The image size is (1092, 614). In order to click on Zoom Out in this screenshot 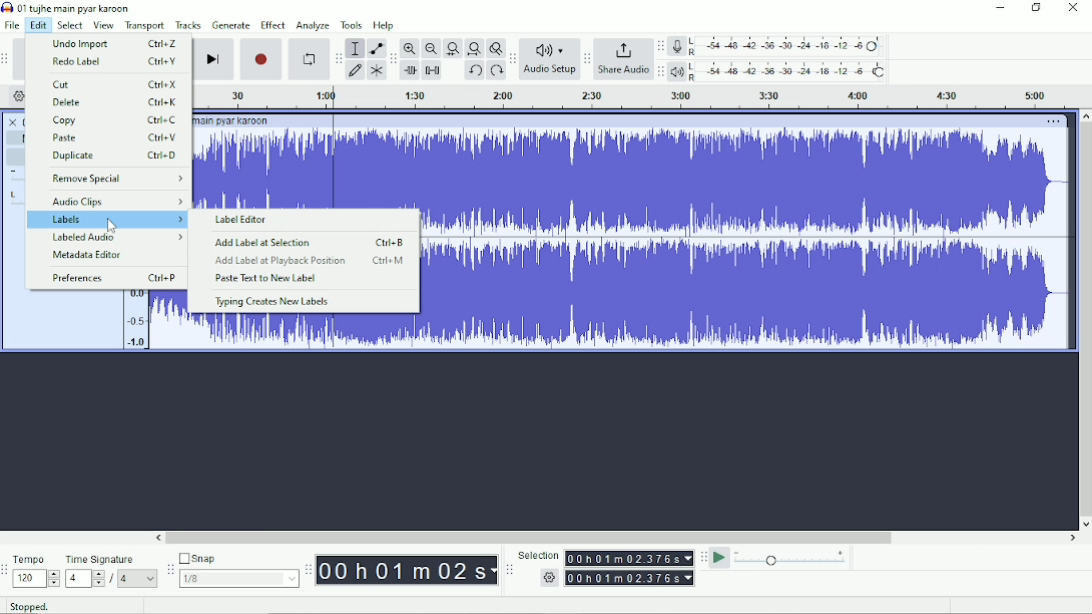, I will do `click(430, 48)`.